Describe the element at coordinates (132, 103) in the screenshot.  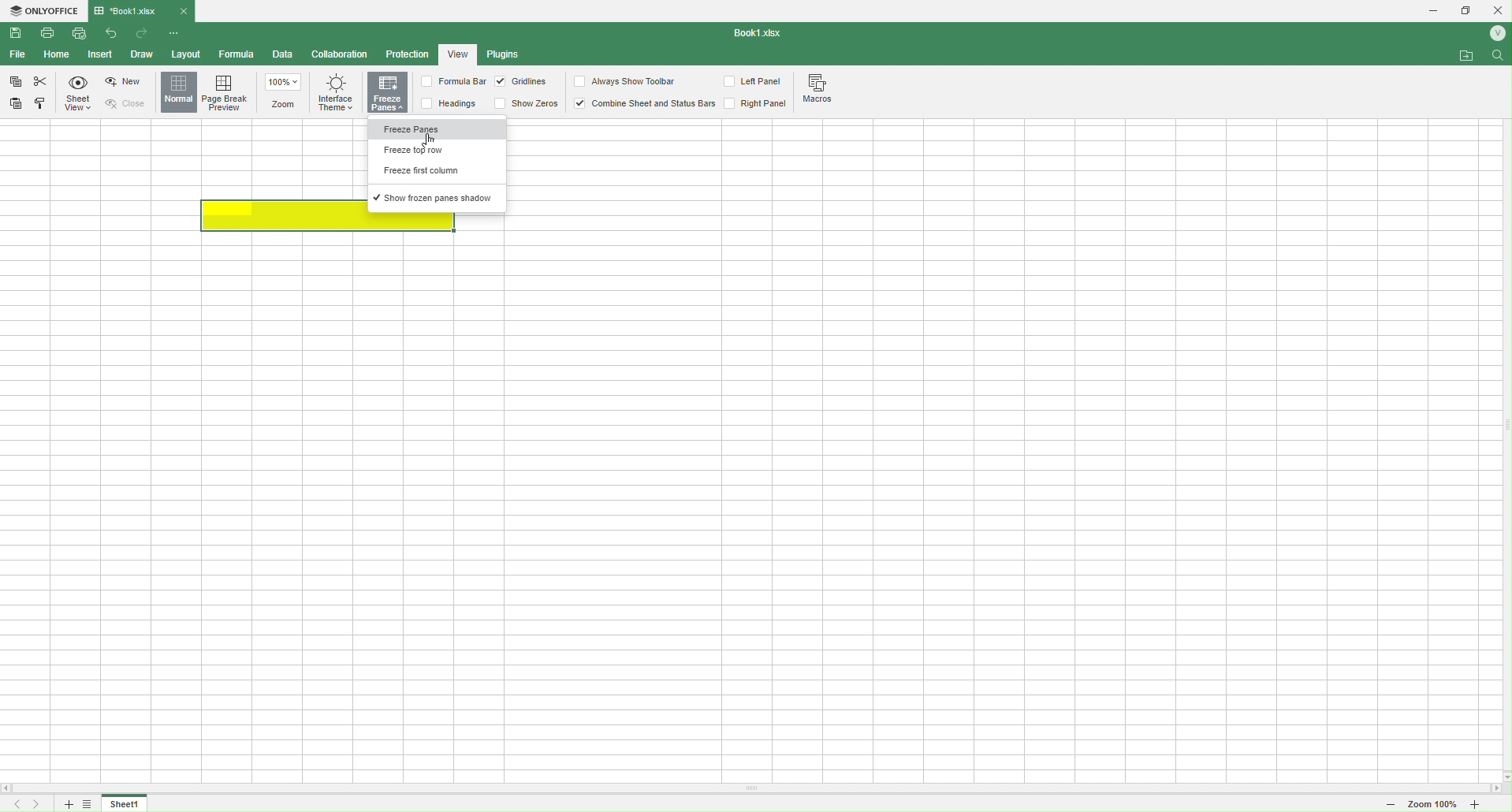
I see `Close` at that location.